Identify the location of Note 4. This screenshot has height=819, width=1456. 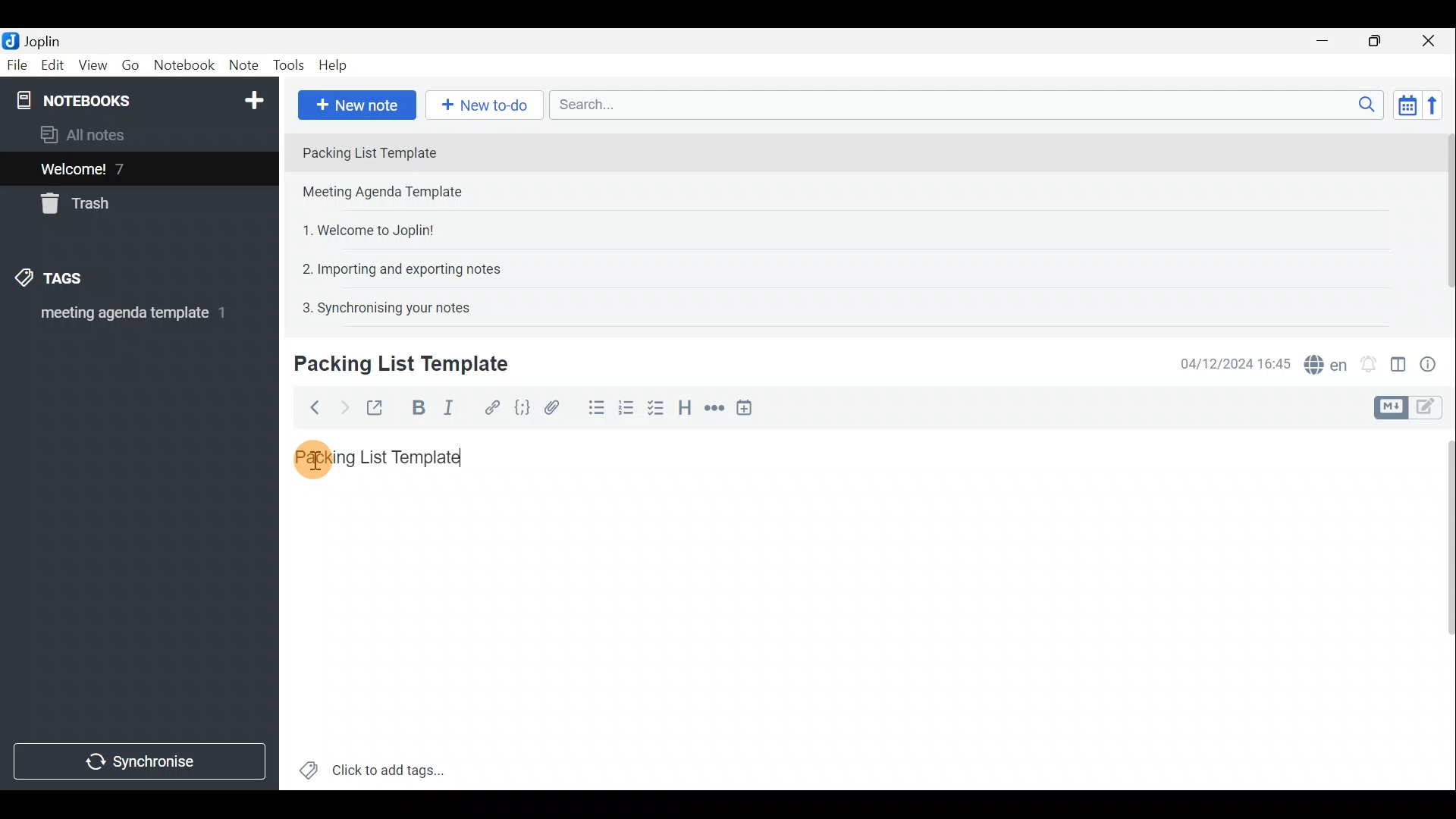
(394, 266).